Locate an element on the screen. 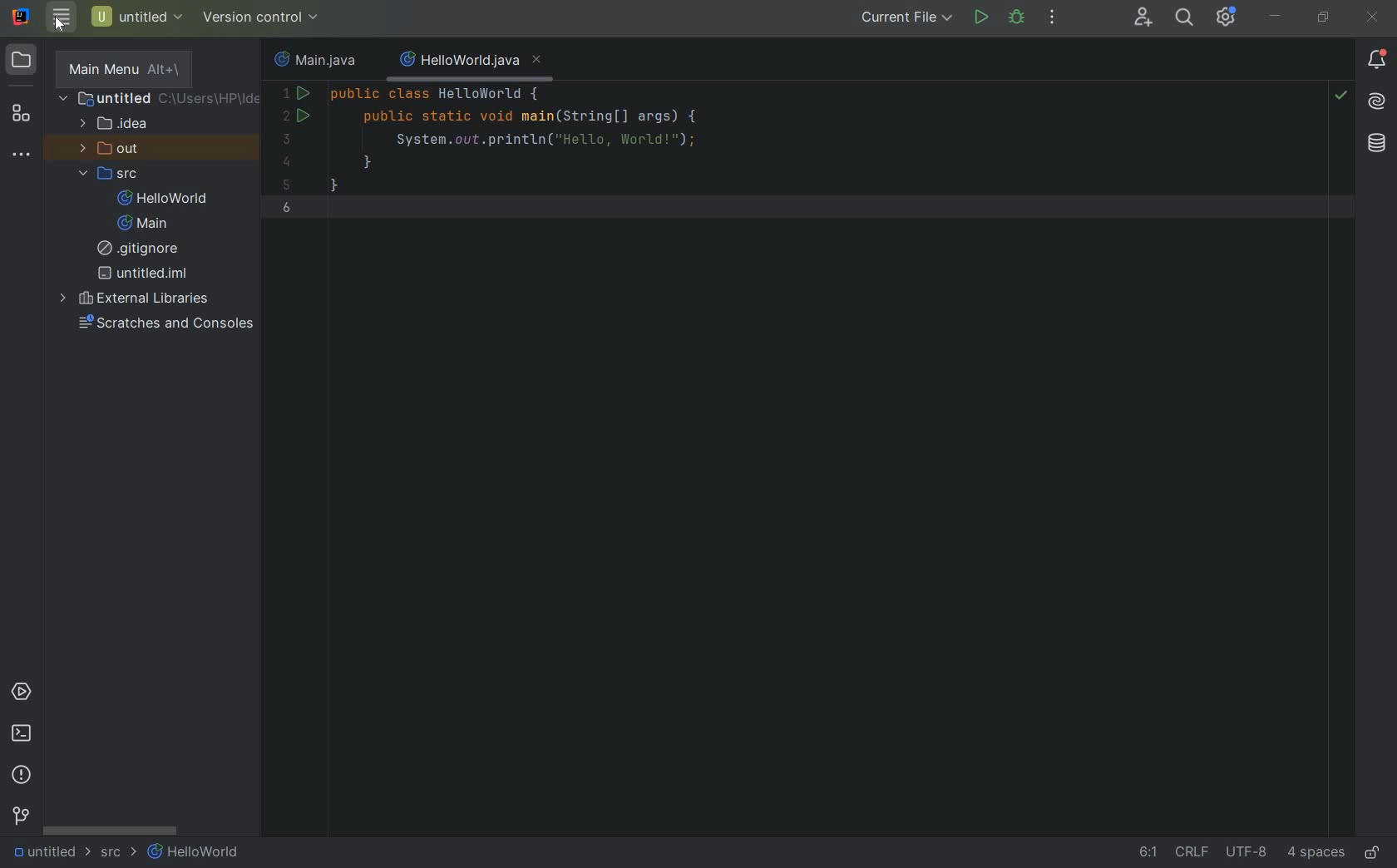 The height and width of the screenshot is (868, 1397). Pointer is located at coordinates (62, 32).